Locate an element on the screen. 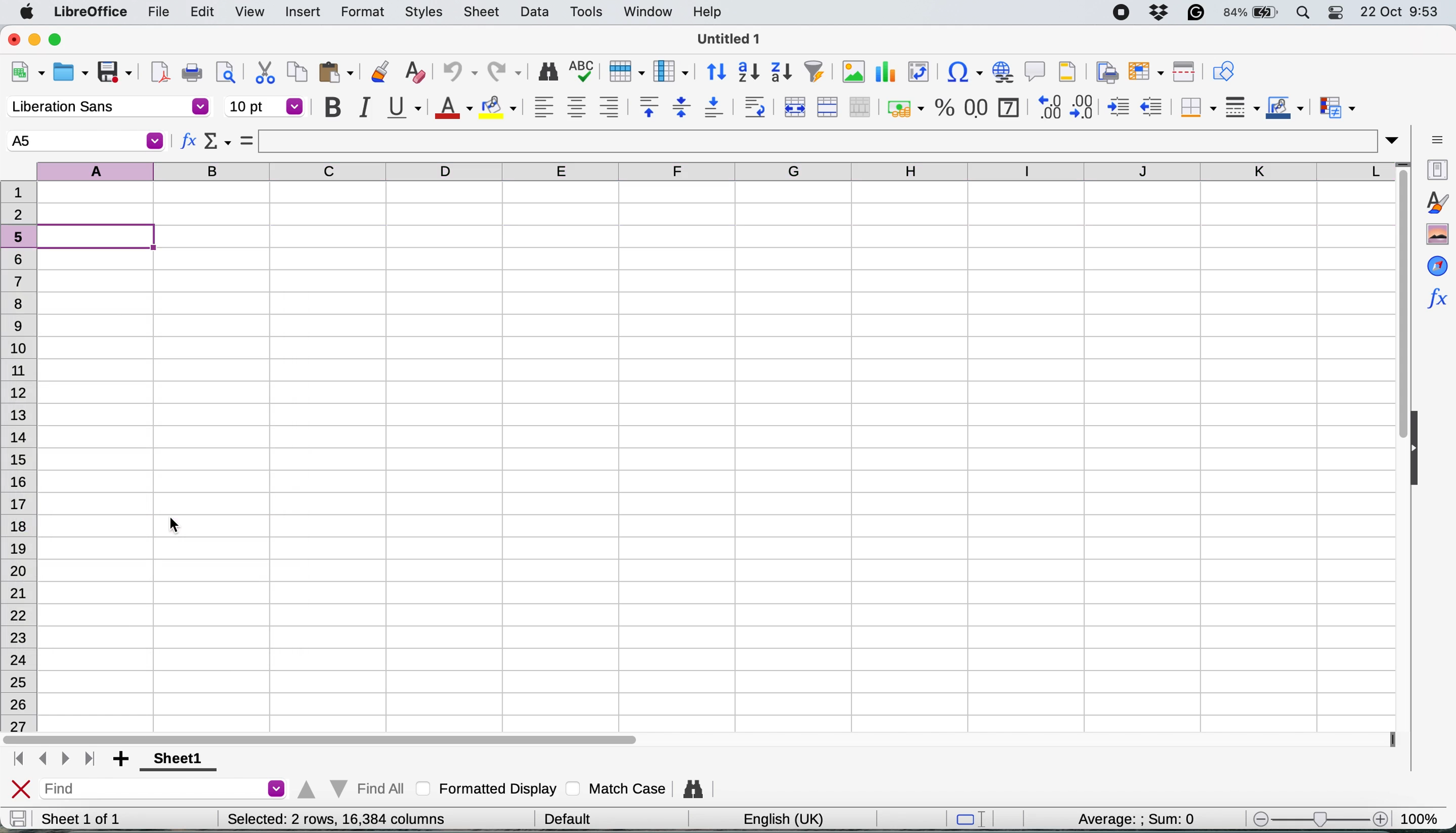  format as number is located at coordinates (977, 106).